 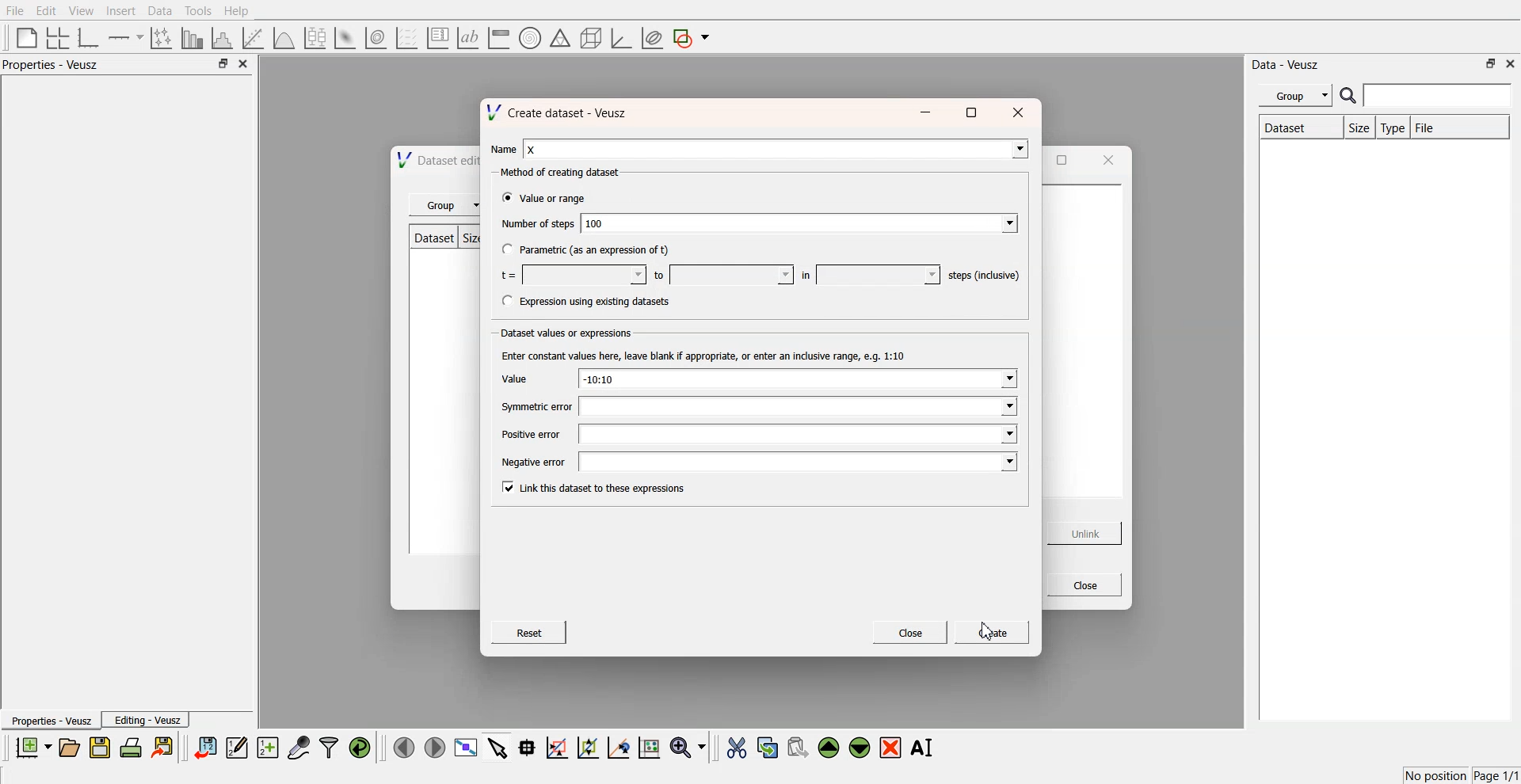 What do you see at coordinates (563, 112) in the screenshot?
I see `Create dataset - Veusz` at bounding box center [563, 112].